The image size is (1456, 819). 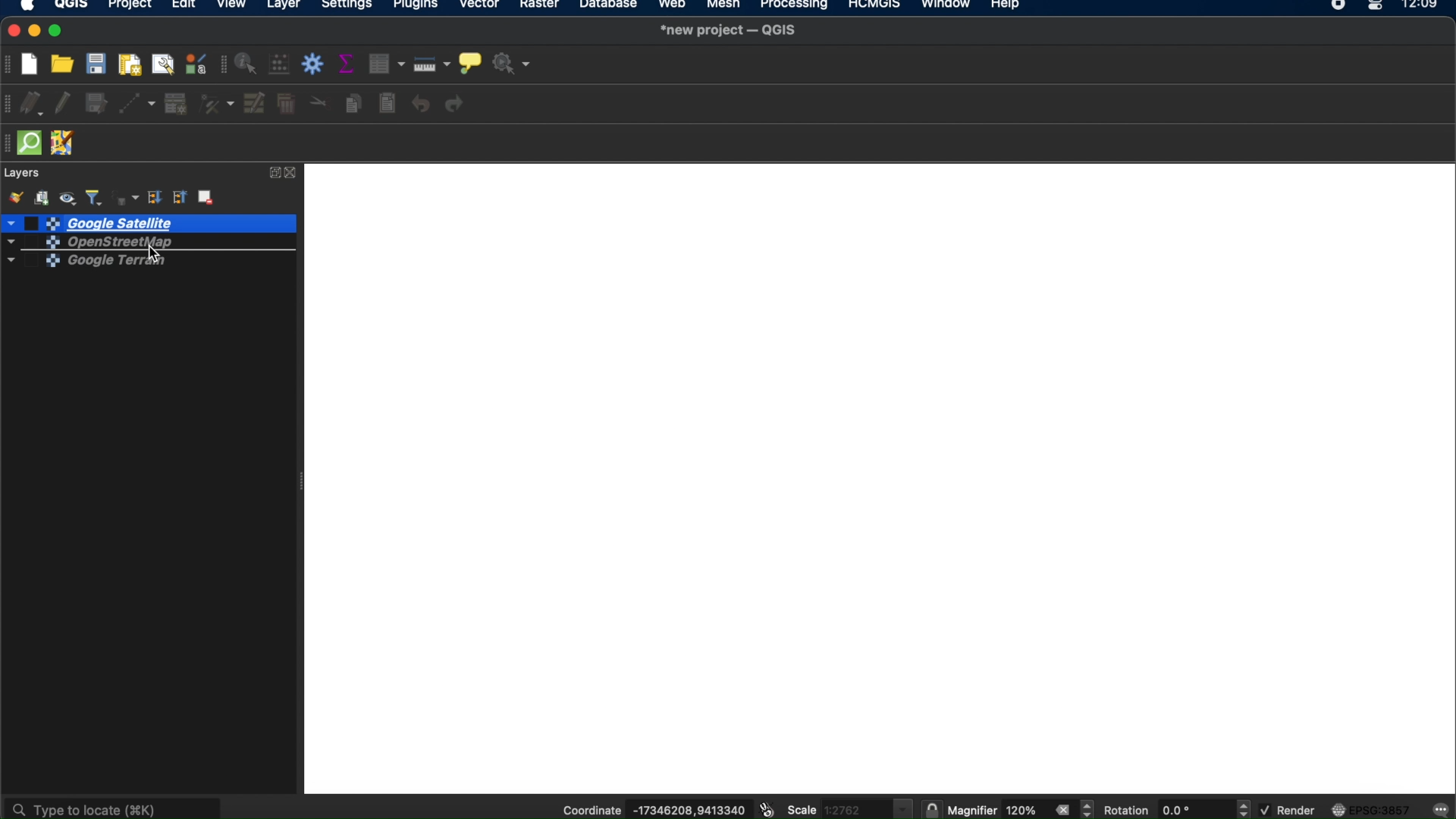 I want to click on filter legend by expression, so click(x=124, y=196).